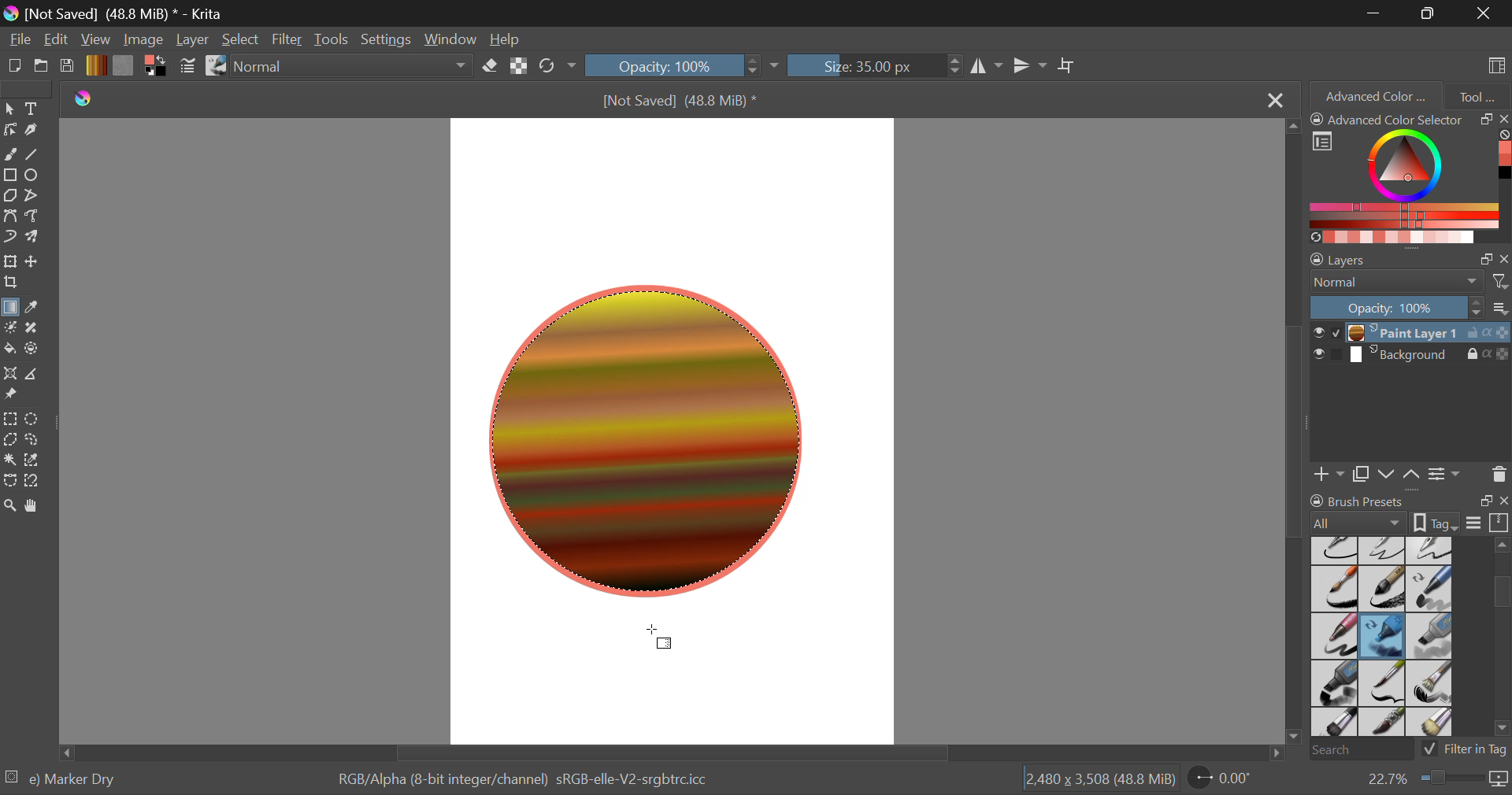 This screenshot has height=795, width=1512. What do you see at coordinates (1332, 590) in the screenshot?
I see `Ink-7 Brush Rough` at bounding box center [1332, 590].